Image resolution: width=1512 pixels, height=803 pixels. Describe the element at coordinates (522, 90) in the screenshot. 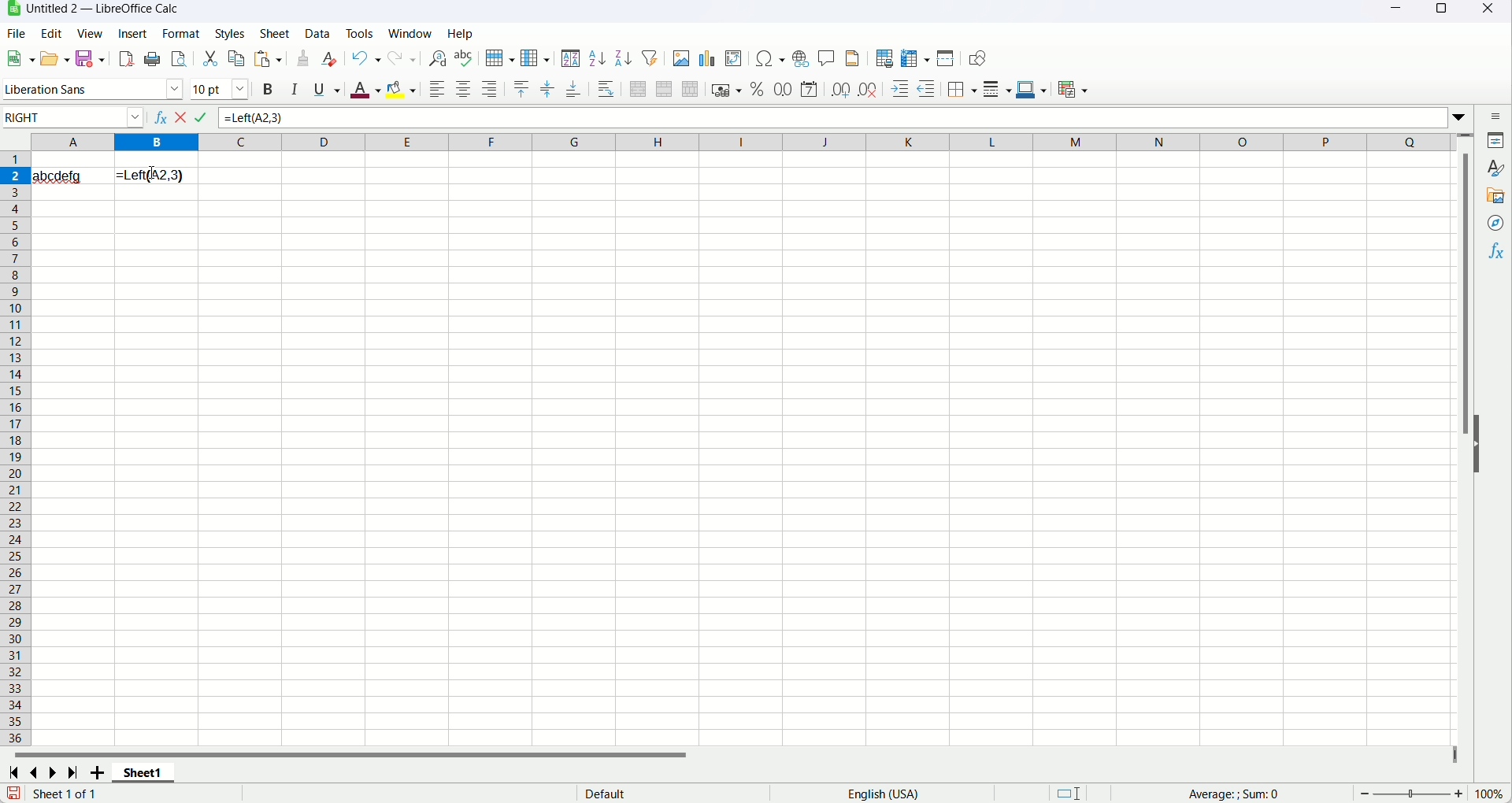

I see `align top` at that location.